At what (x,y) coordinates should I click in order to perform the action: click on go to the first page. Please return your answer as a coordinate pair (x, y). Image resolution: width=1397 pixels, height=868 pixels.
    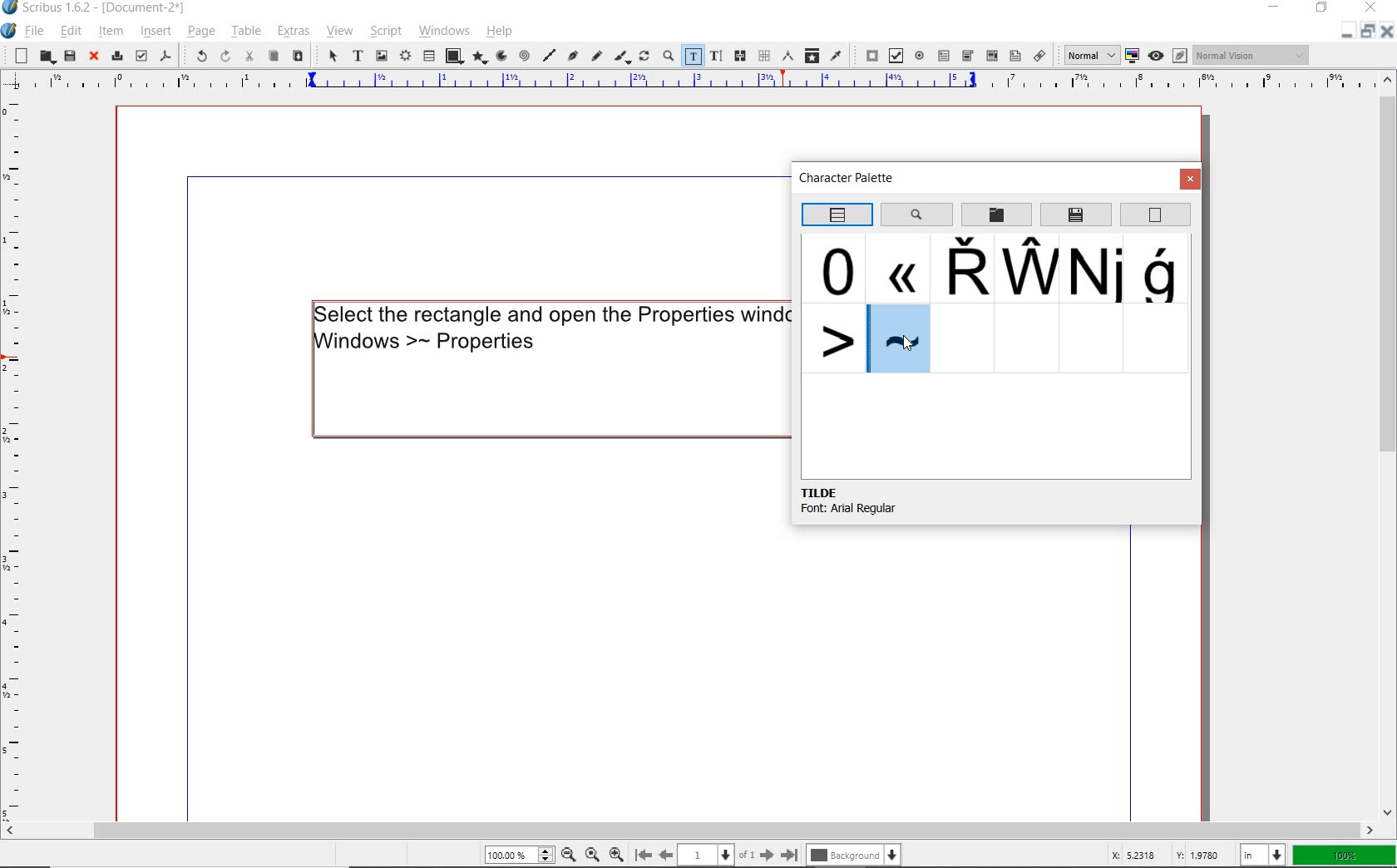
    Looking at the image, I should click on (642, 854).